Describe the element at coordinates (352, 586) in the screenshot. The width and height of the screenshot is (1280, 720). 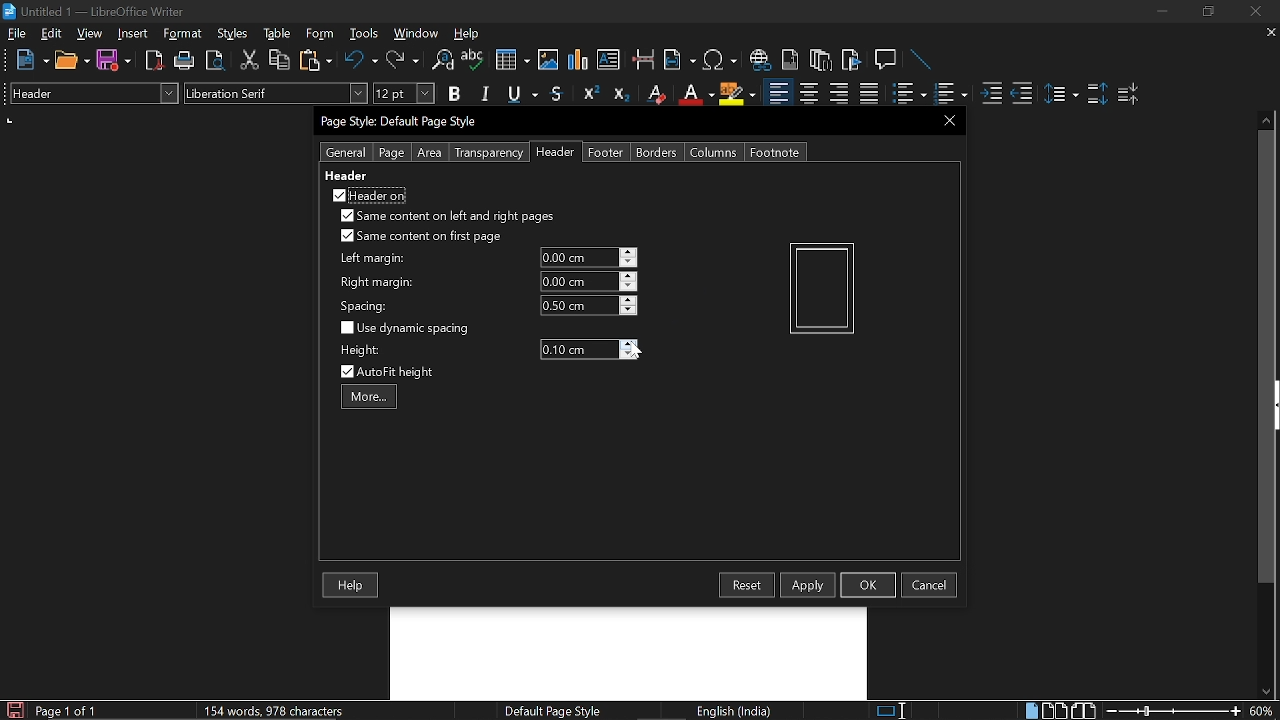
I see `Help` at that location.